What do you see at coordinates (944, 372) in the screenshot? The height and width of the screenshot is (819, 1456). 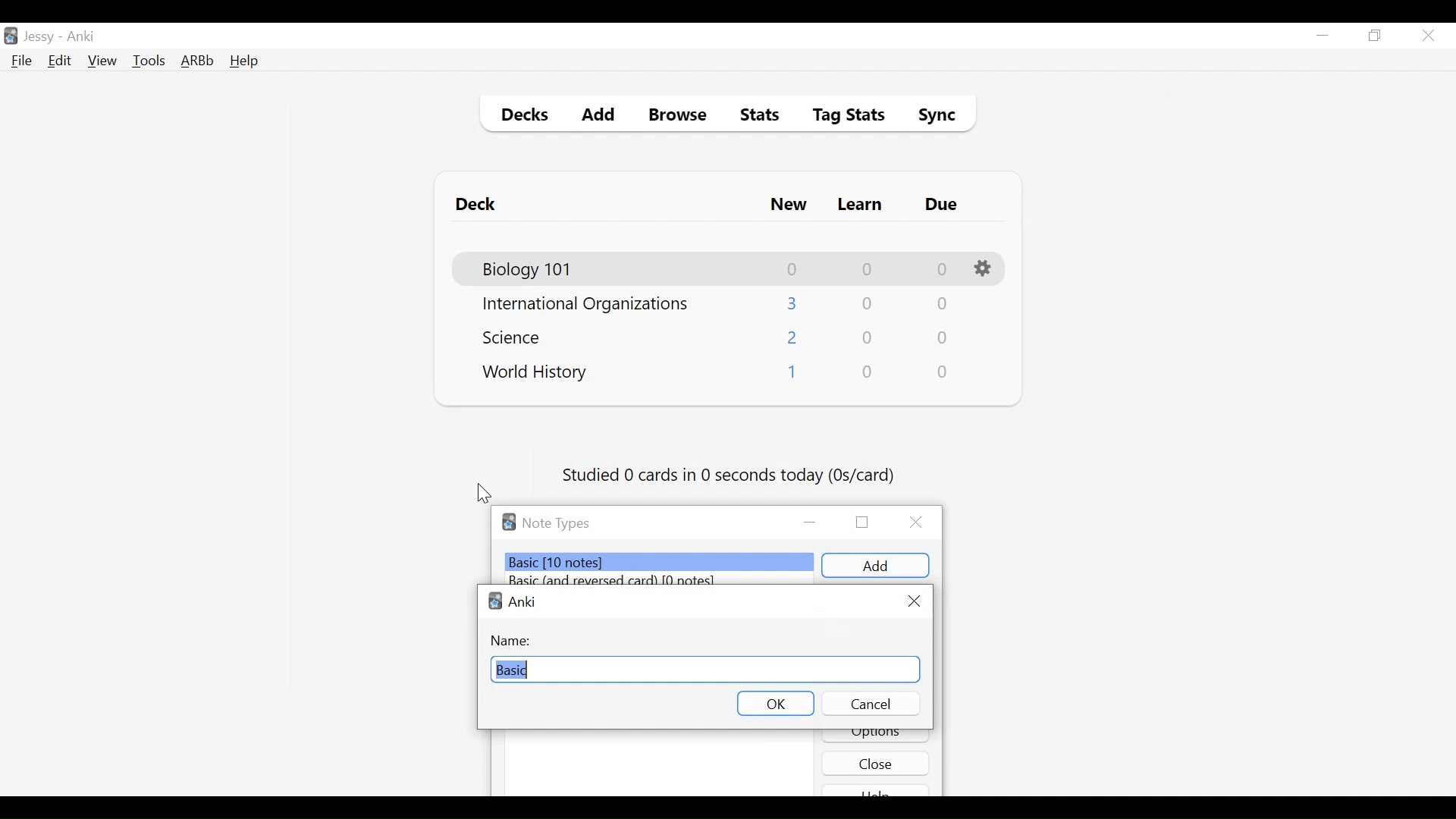 I see `Due Card Count` at bounding box center [944, 372].